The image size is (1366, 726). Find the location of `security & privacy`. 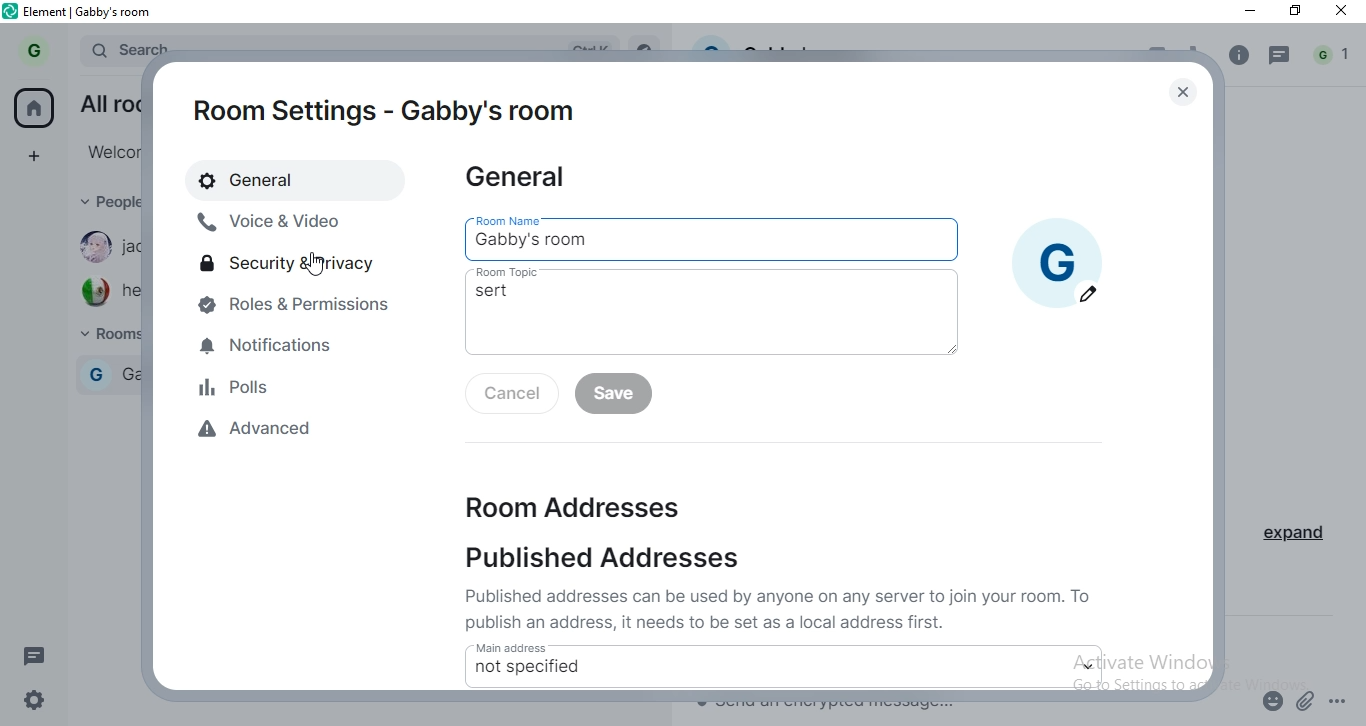

security & privacy is located at coordinates (287, 267).